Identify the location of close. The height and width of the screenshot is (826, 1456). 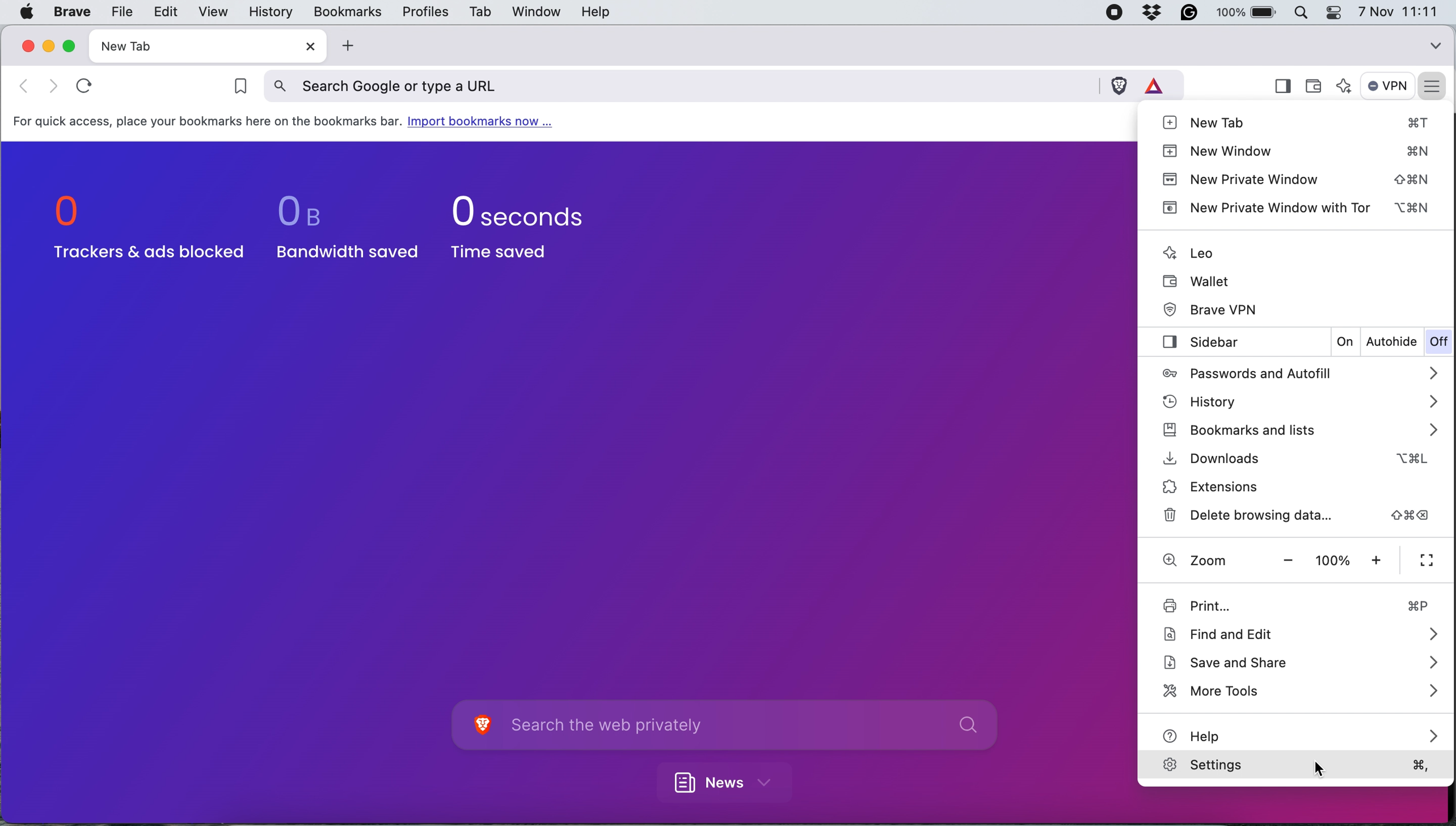
(306, 47).